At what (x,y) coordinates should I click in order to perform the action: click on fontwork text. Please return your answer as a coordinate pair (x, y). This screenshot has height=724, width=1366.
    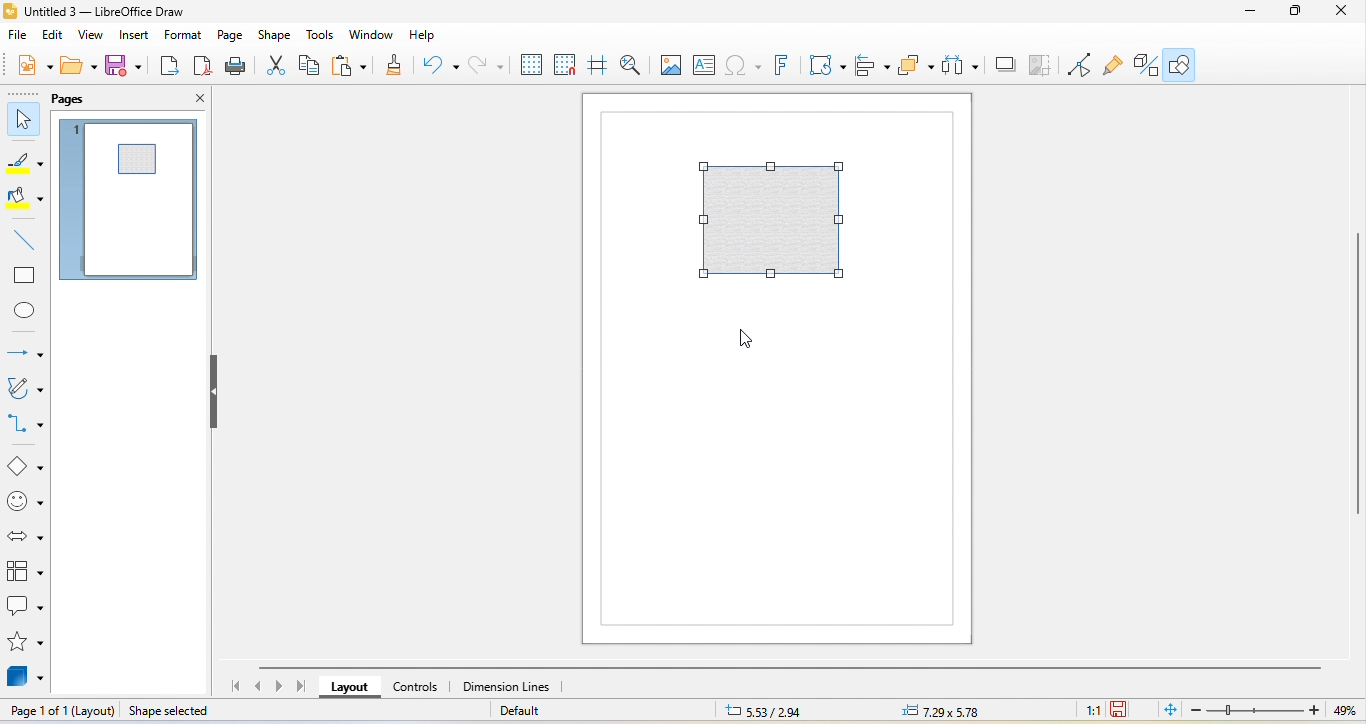
    Looking at the image, I should click on (785, 66).